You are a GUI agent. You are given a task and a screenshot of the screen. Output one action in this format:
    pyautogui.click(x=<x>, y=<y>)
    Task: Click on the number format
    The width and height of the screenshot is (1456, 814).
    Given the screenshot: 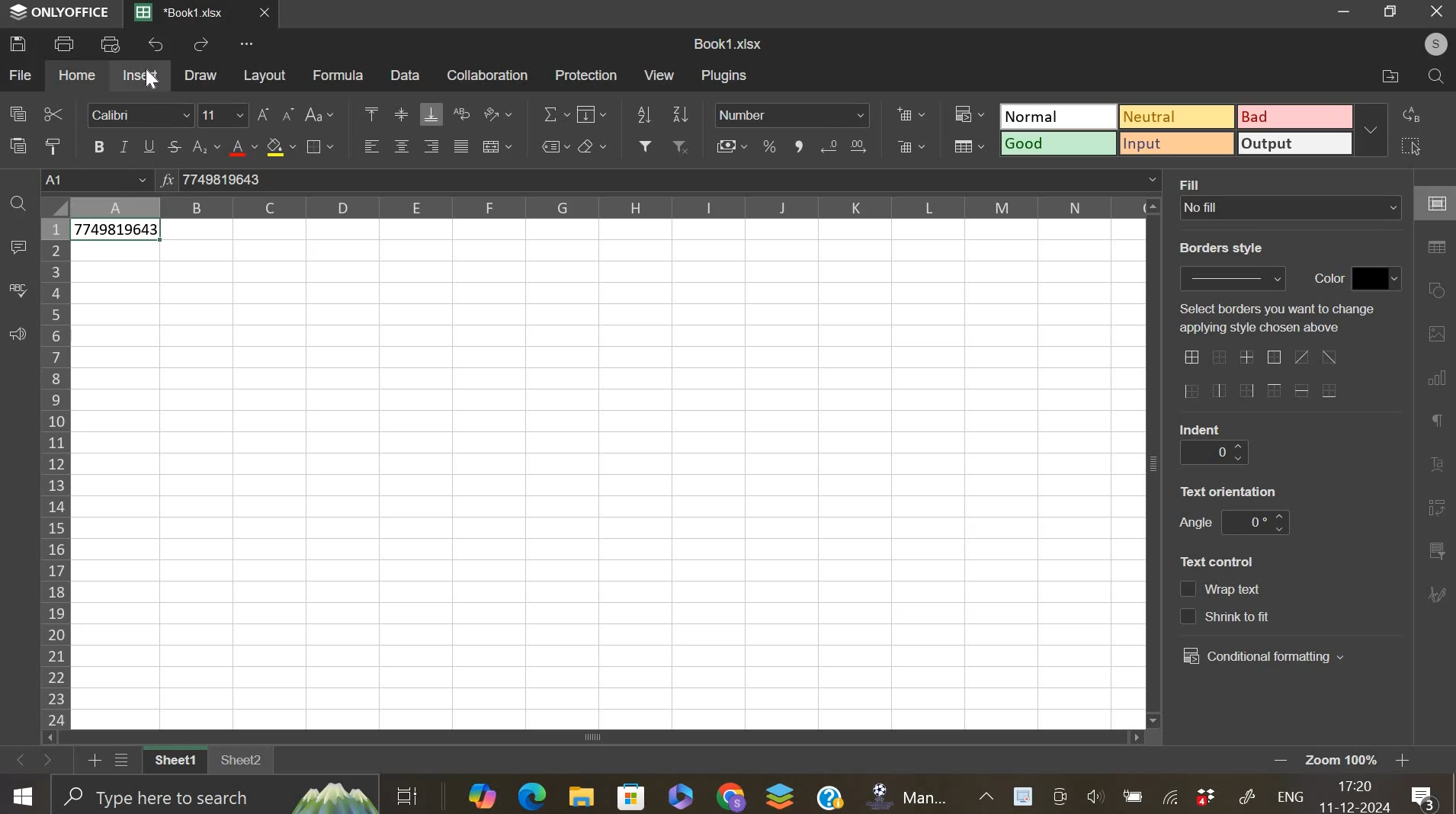 What is the action you would take?
    pyautogui.click(x=792, y=116)
    